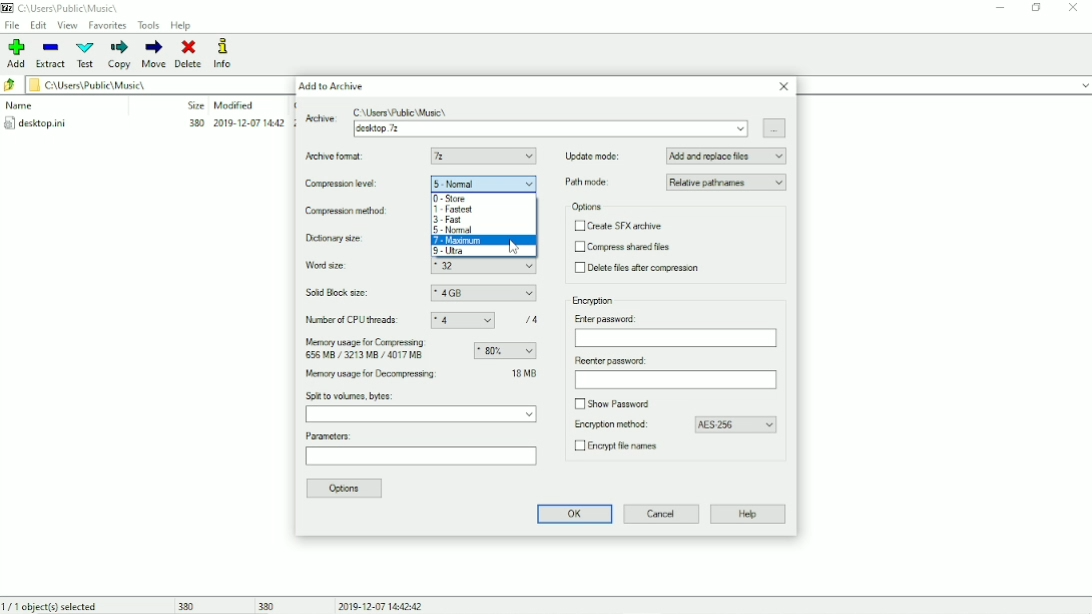  What do you see at coordinates (524, 372) in the screenshot?
I see `34 MB` at bounding box center [524, 372].